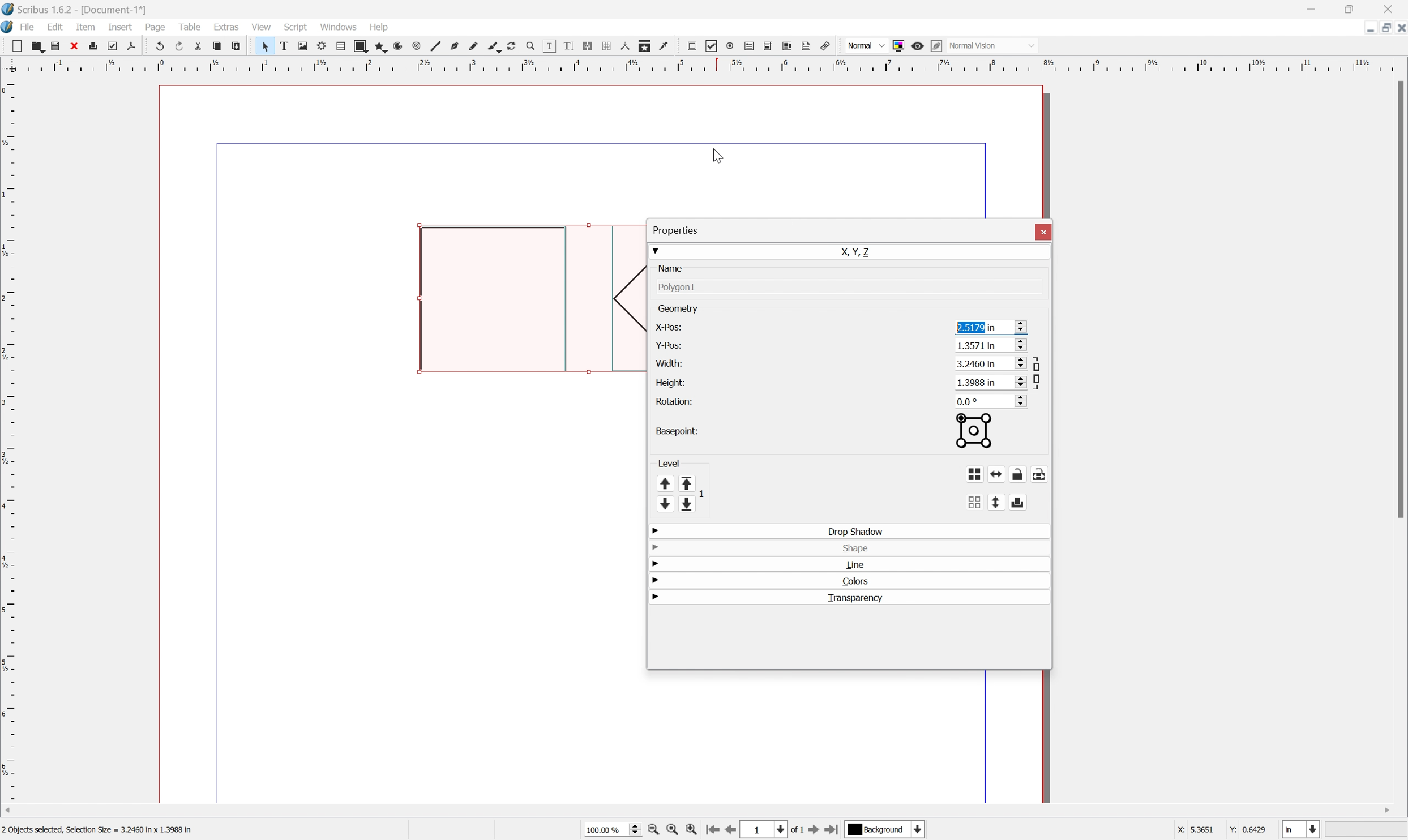  What do you see at coordinates (1399, 27) in the screenshot?
I see `Close` at bounding box center [1399, 27].